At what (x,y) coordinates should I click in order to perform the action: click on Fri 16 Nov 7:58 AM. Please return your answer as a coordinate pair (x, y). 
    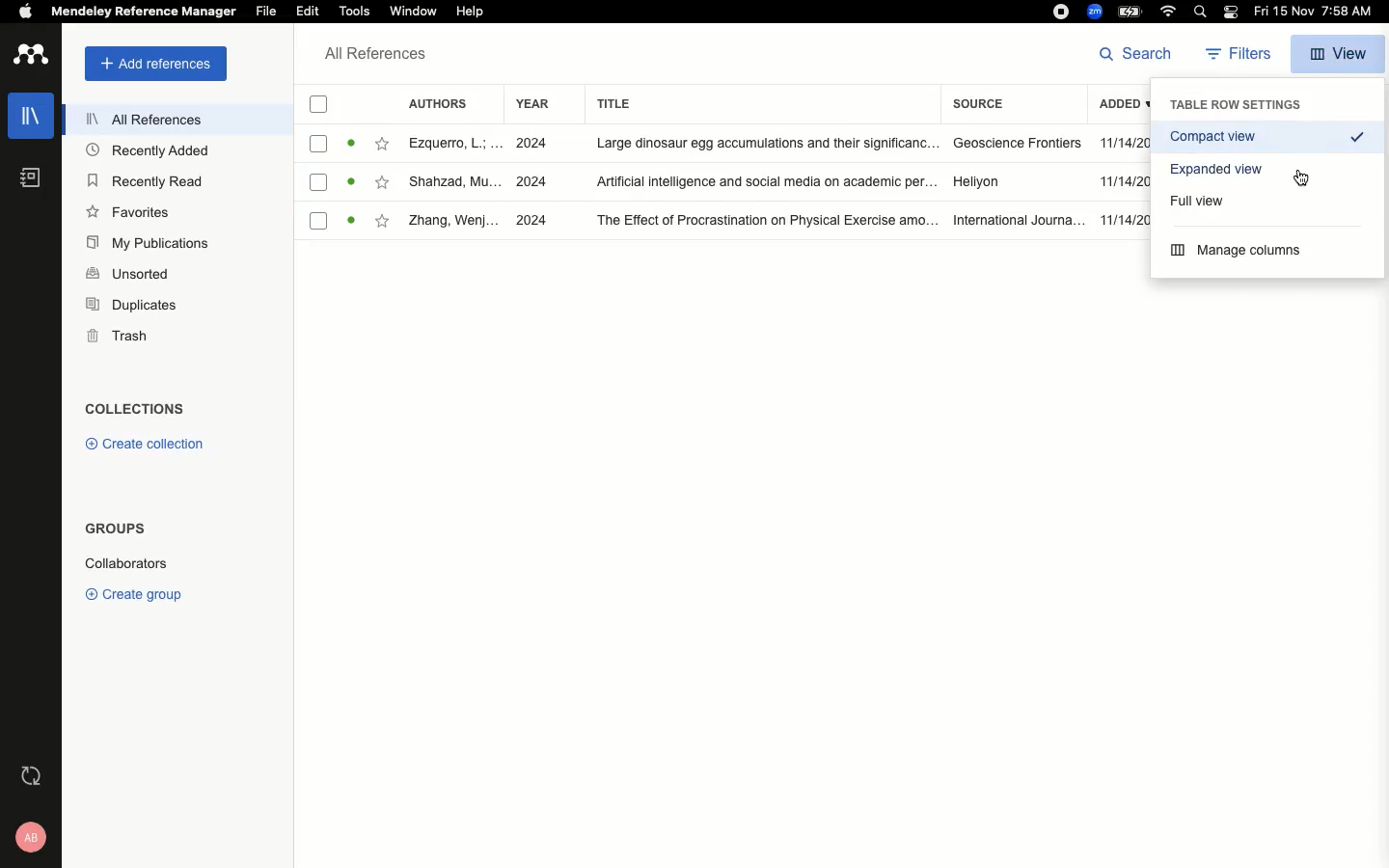
    Looking at the image, I should click on (1317, 13).